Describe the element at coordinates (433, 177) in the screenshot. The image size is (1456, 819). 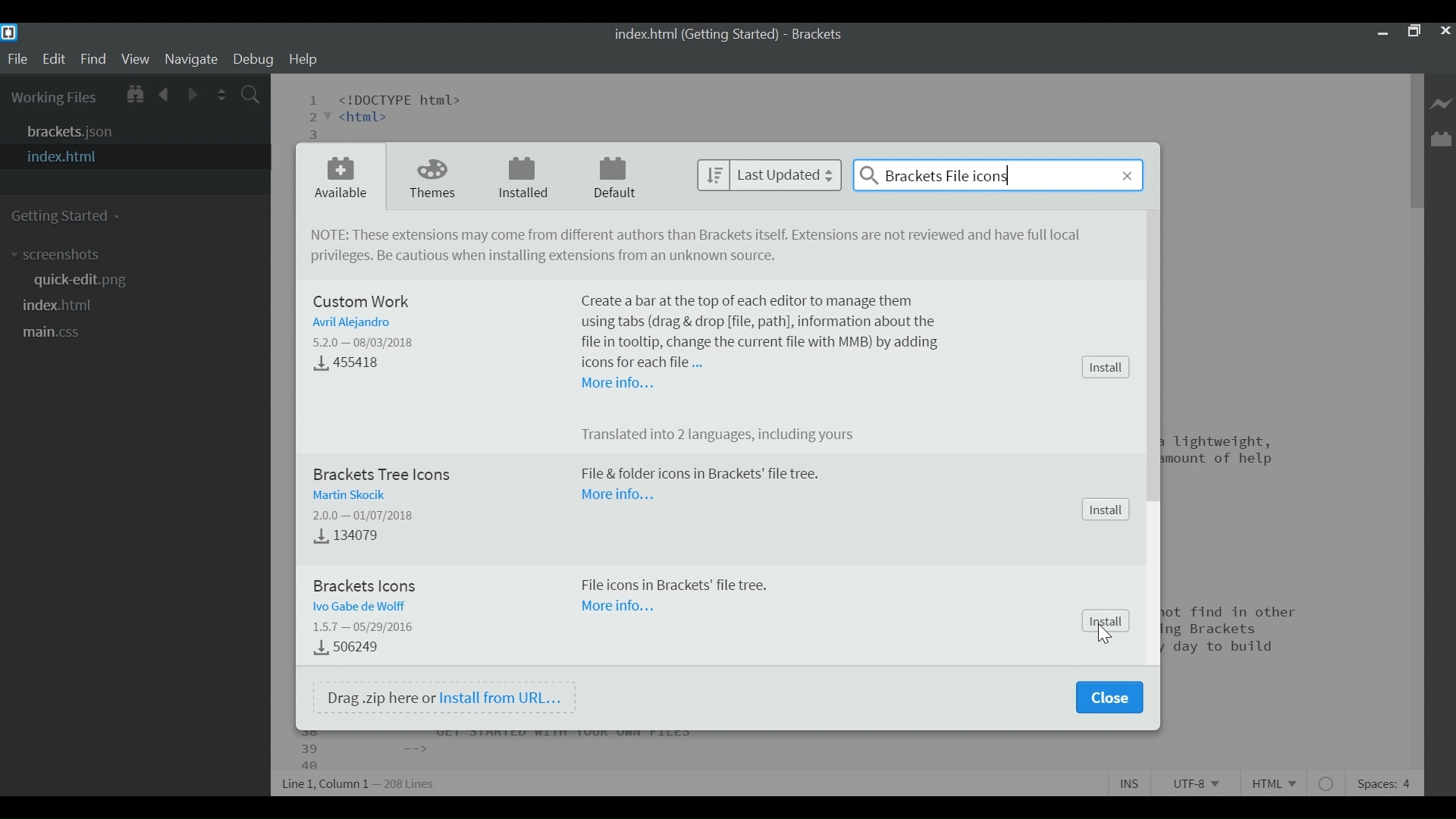
I see `Themes` at that location.